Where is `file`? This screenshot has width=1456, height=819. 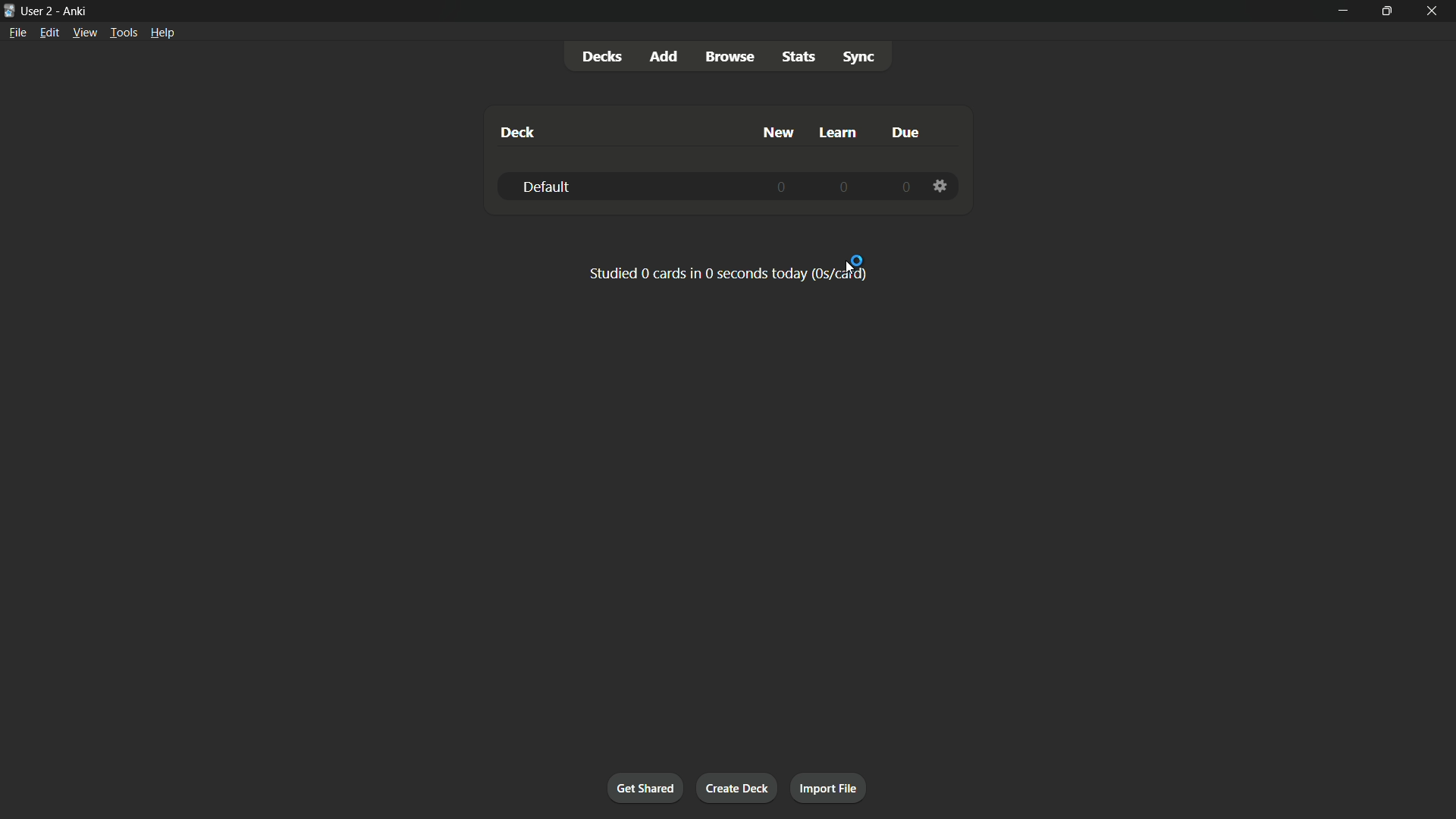
file is located at coordinates (20, 33).